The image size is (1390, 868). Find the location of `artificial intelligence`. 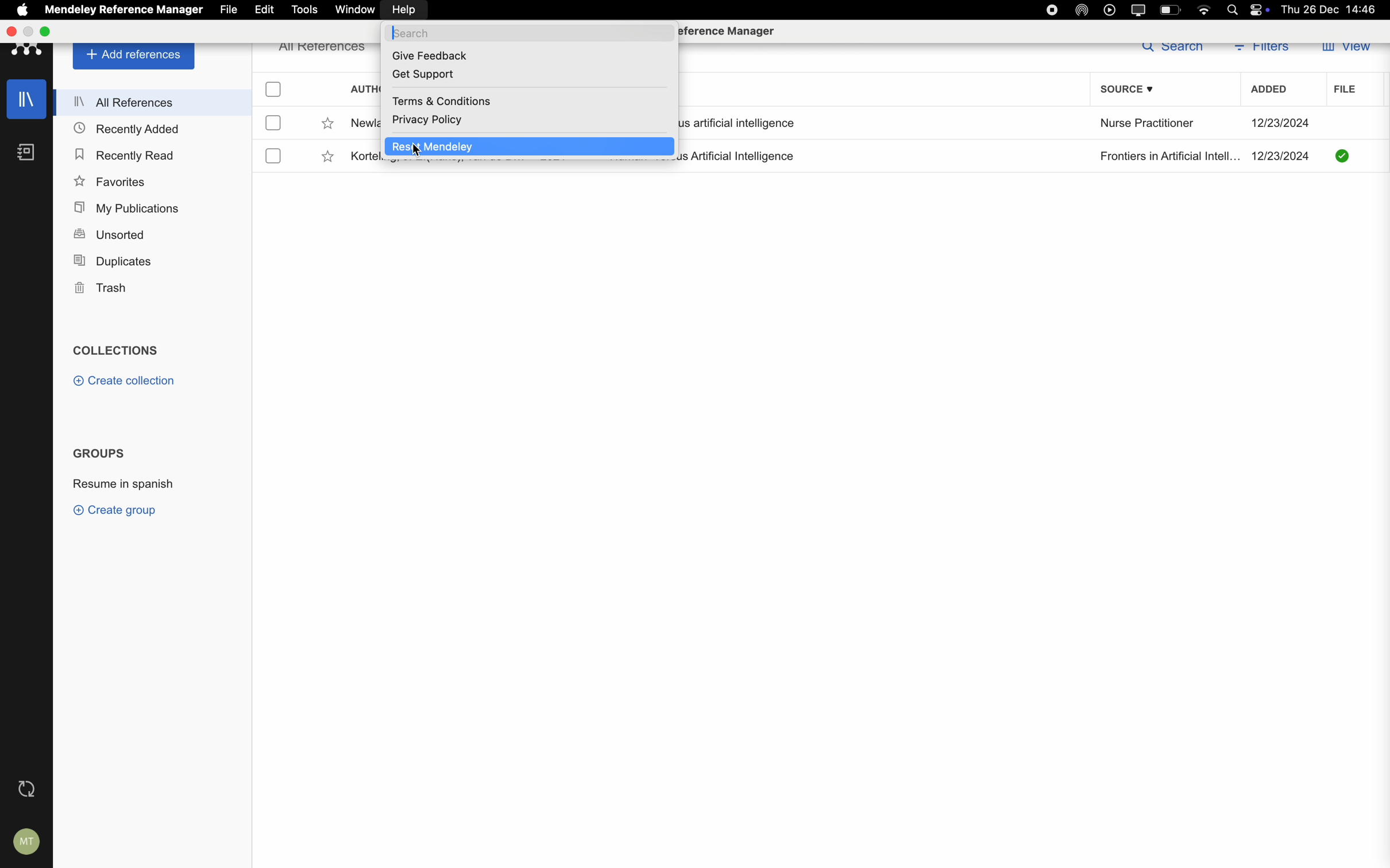

artificial intelligence is located at coordinates (748, 123).